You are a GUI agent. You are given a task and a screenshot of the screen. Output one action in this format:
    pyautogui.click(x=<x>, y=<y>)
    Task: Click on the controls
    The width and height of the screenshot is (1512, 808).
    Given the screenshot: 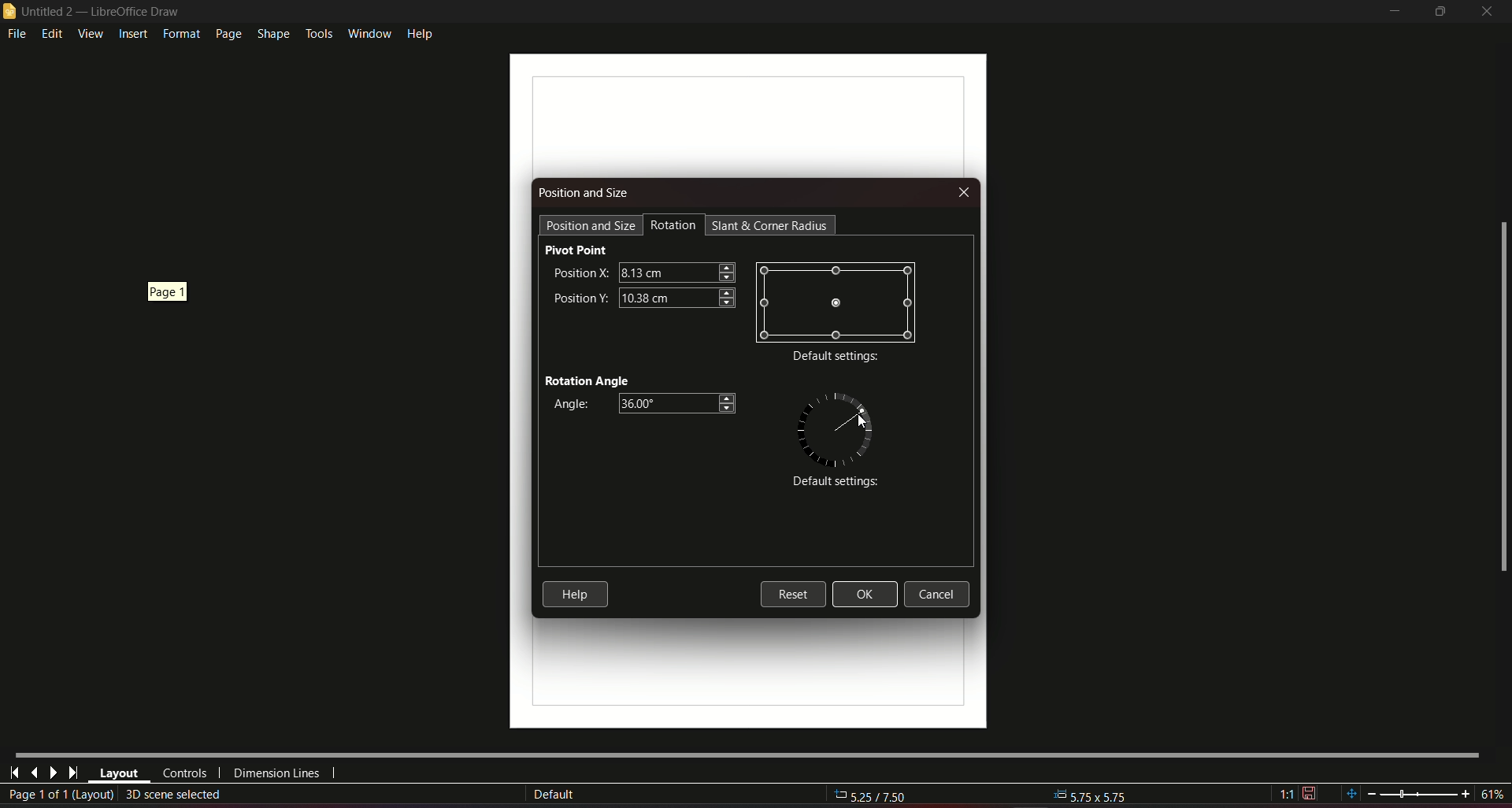 What is the action you would take?
    pyautogui.click(x=183, y=773)
    